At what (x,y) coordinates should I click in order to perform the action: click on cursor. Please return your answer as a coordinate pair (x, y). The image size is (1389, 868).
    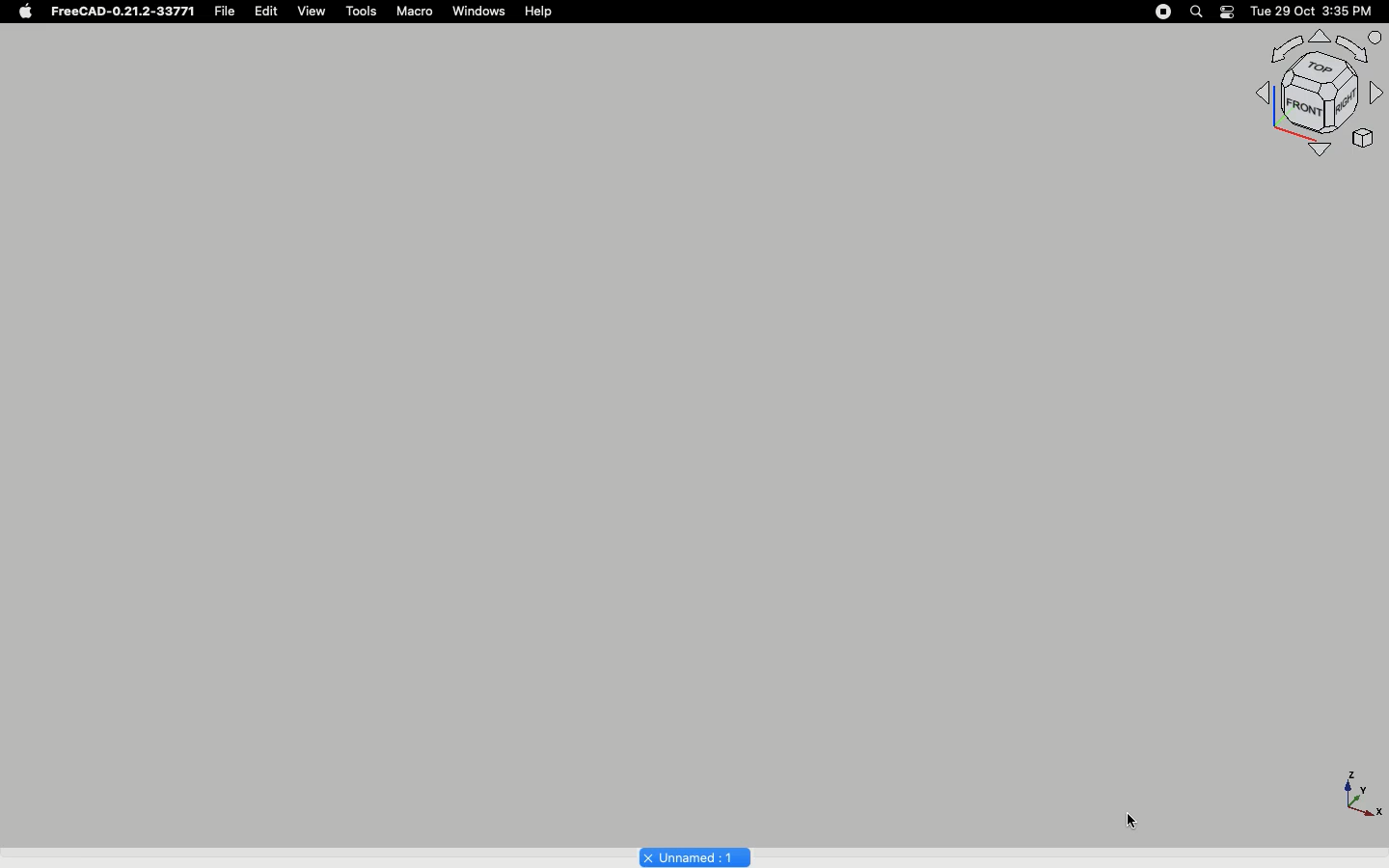
    Looking at the image, I should click on (1130, 820).